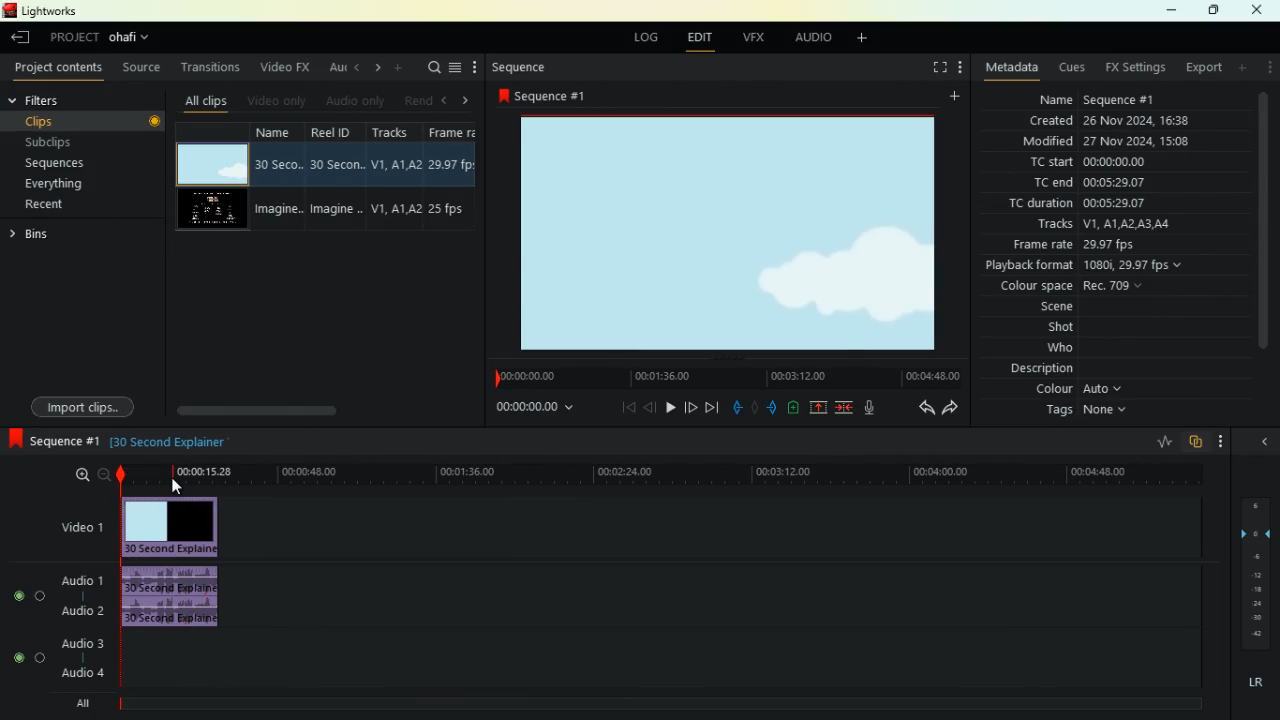 The width and height of the screenshot is (1280, 720). Describe the element at coordinates (1057, 225) in the screenshot. I see `tracks` at that location.